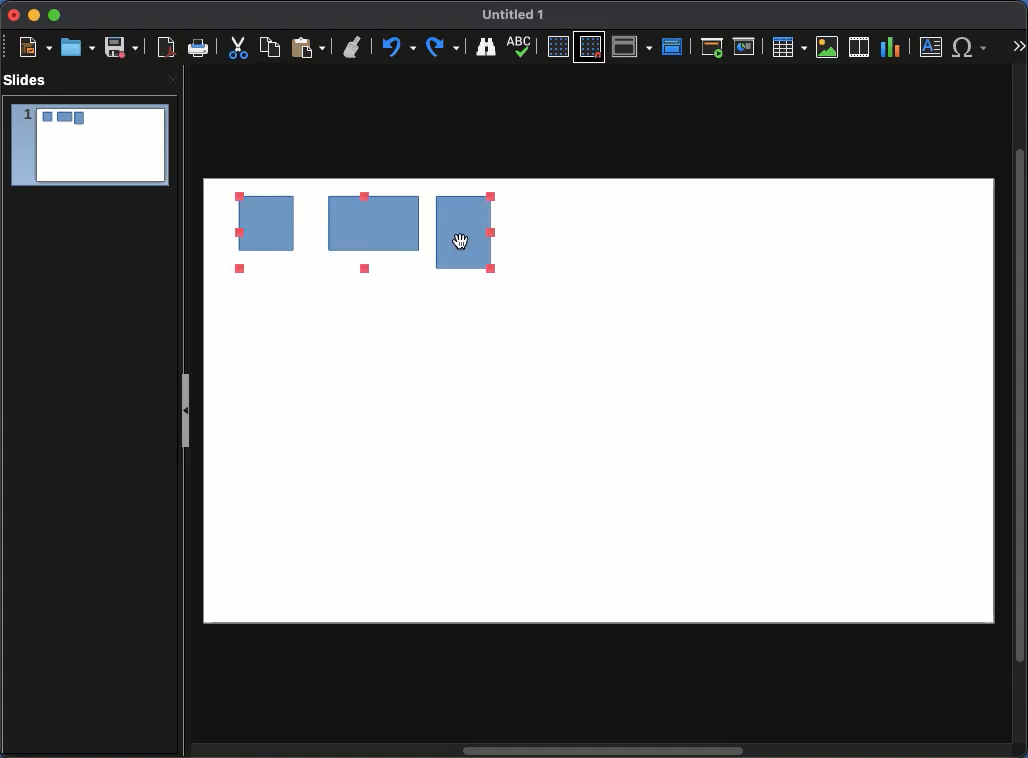  I want to click on Chart, so click(892, 48).